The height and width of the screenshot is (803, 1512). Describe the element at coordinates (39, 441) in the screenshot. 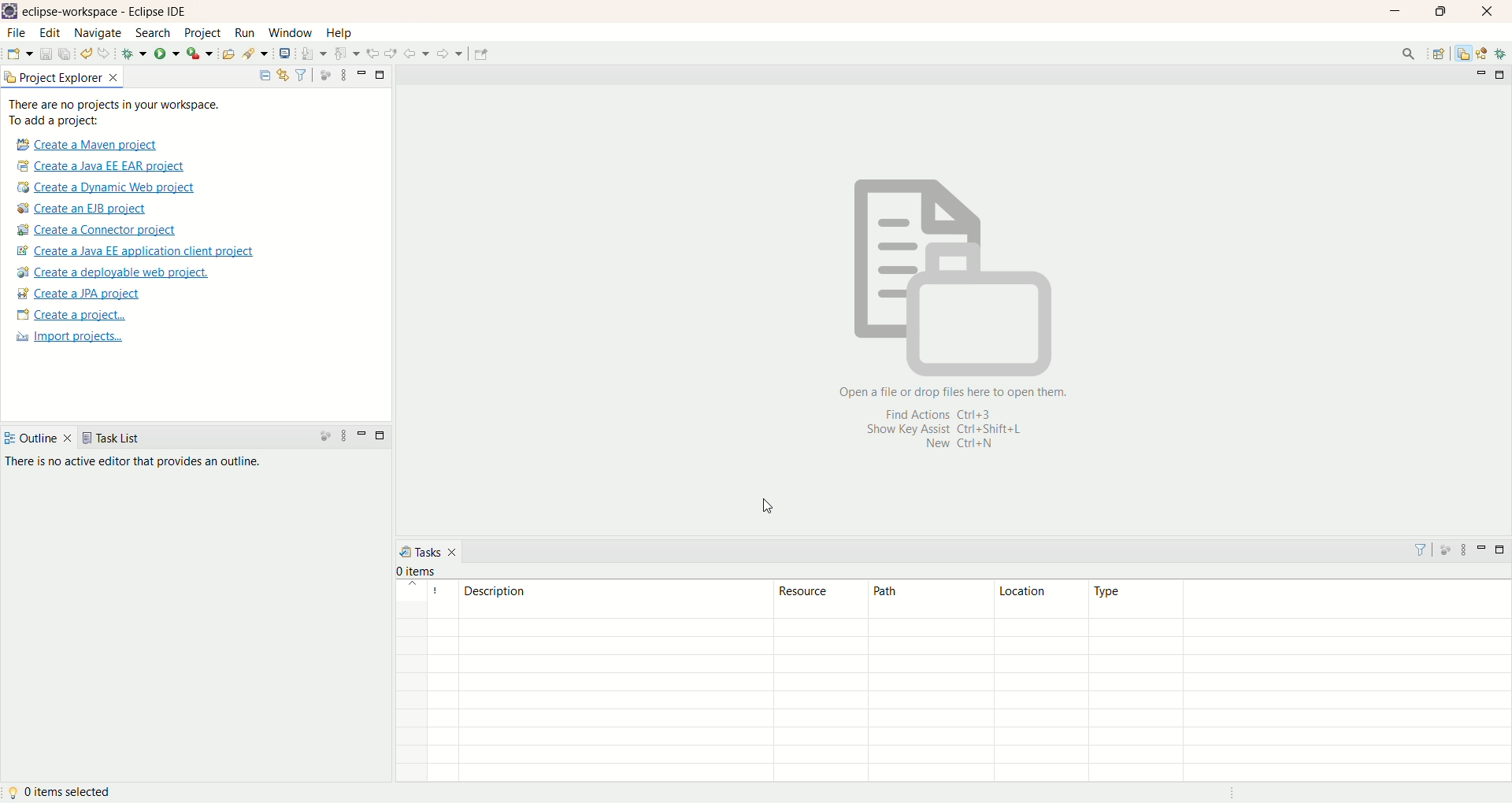

I see `outline` at that location.